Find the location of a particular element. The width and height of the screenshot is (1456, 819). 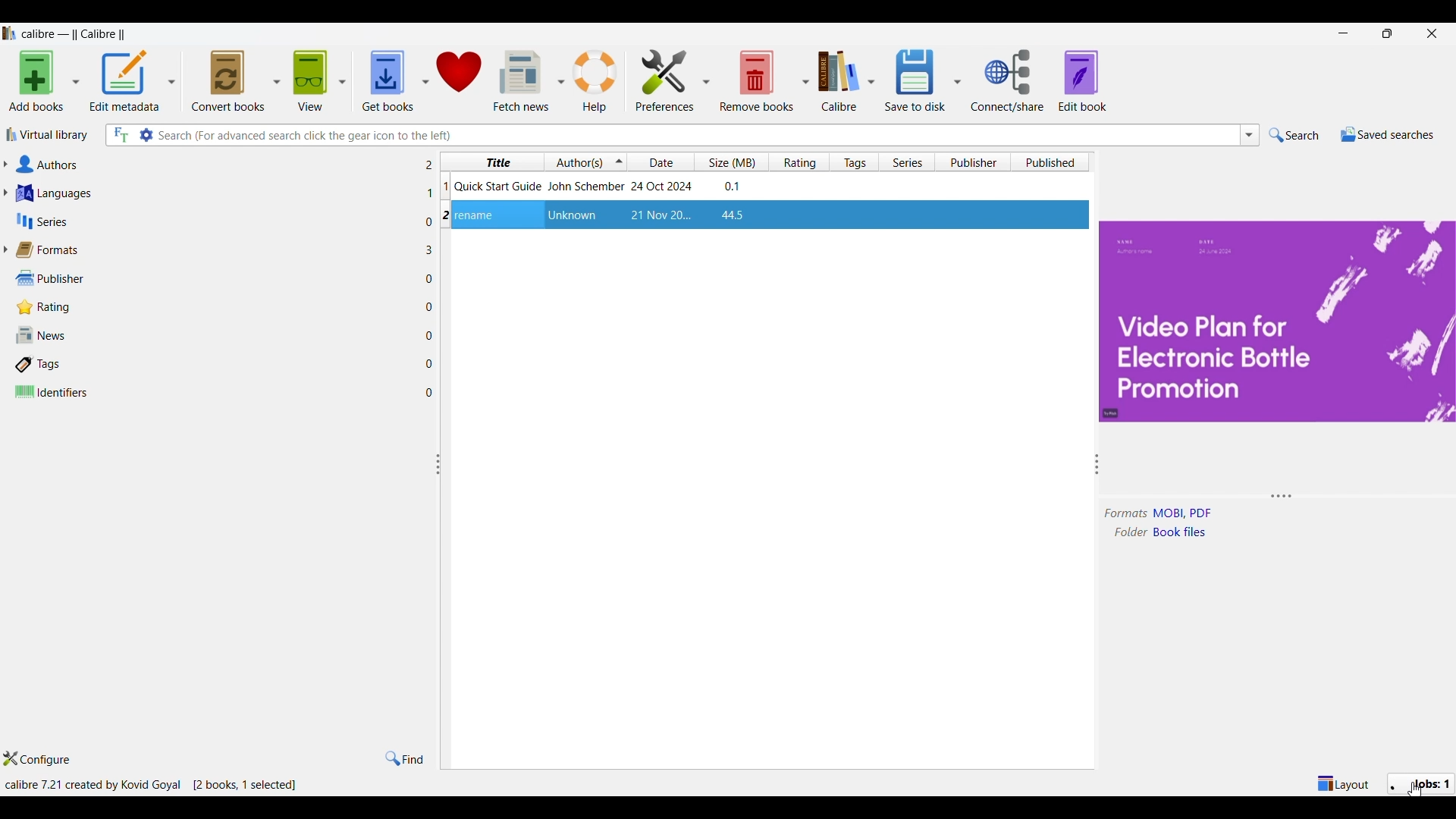

Calibre is located at coordinates (841, 81).